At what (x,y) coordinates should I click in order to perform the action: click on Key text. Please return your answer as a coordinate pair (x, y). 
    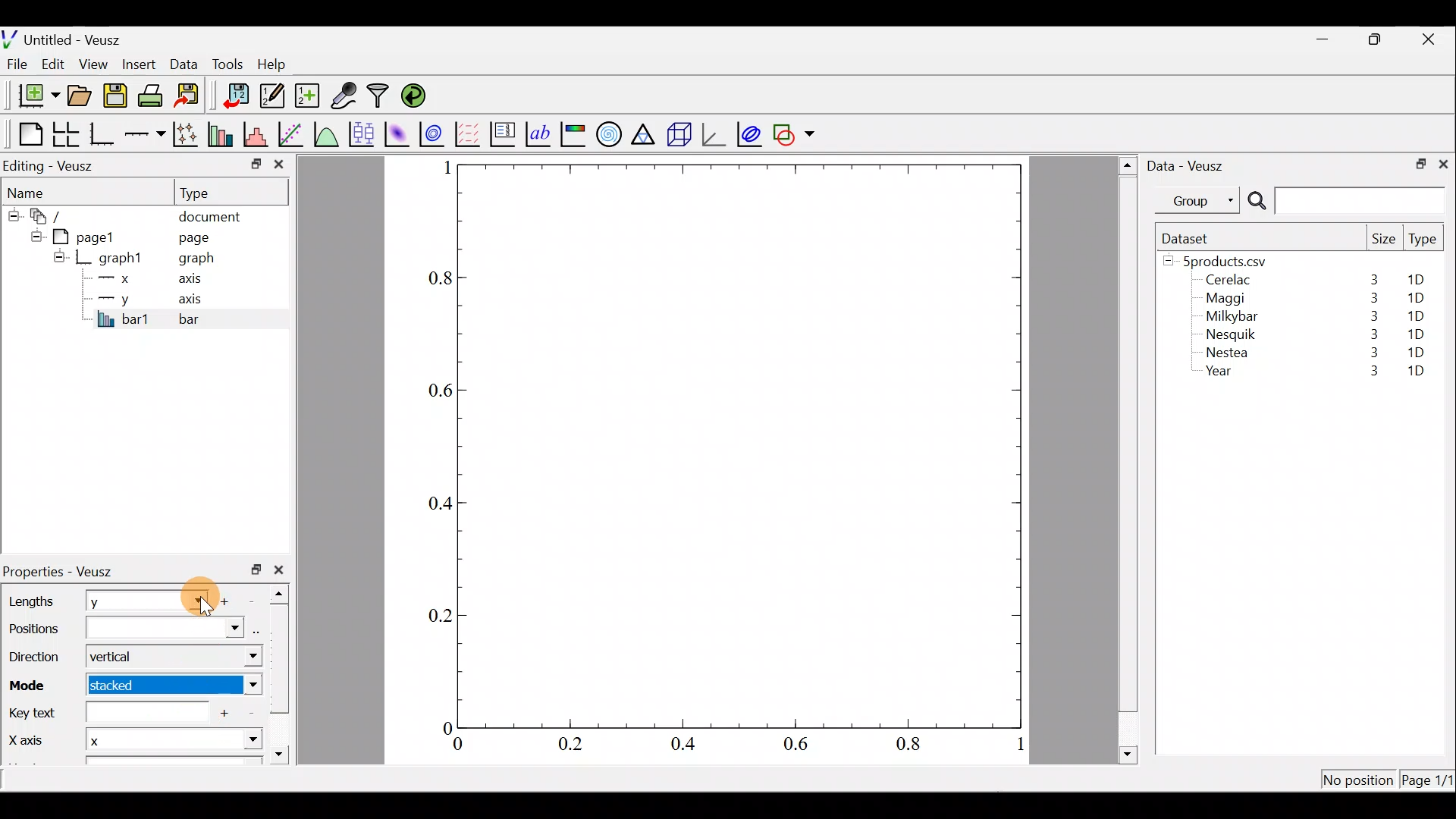
    Looking at the image, I should click on (106, 713).